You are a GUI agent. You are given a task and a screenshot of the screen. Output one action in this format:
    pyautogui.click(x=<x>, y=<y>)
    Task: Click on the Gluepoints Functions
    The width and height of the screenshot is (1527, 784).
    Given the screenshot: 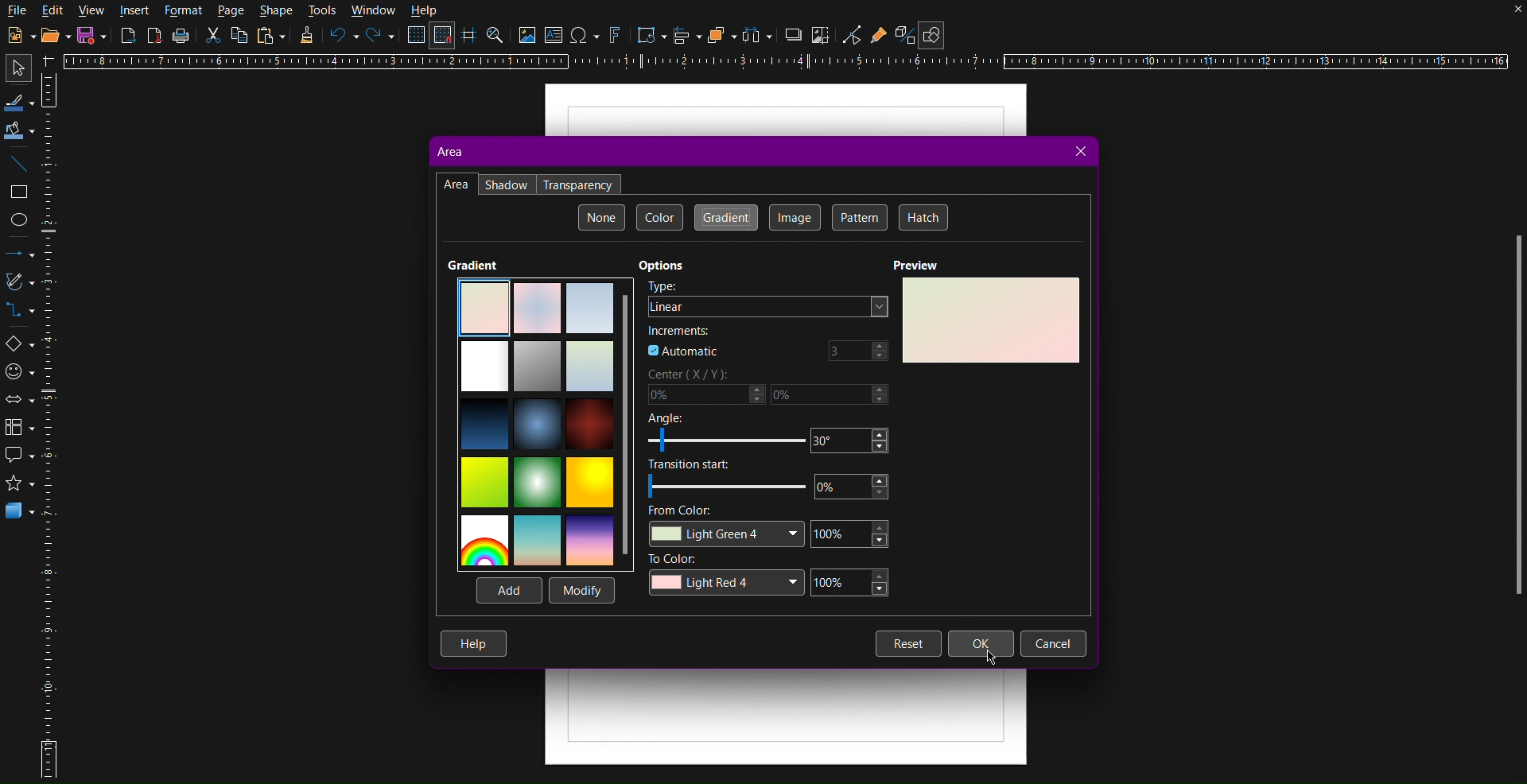 What is the action you would take?
    pyautogui.click(x=880, y=34)
    